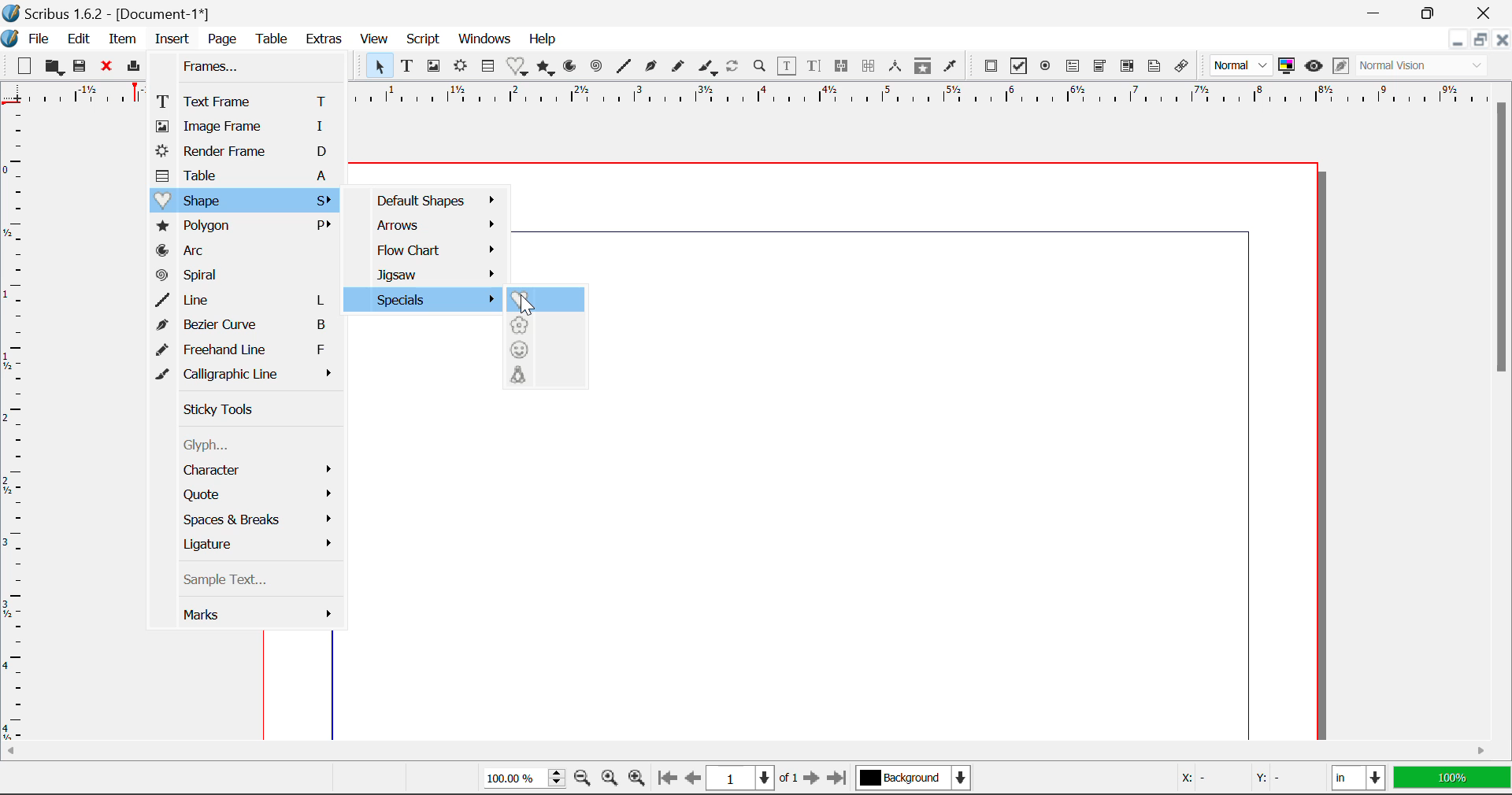  Describe the element at coordinates (583, 779) in the screenshot. I see `Zoom Out` at that location.